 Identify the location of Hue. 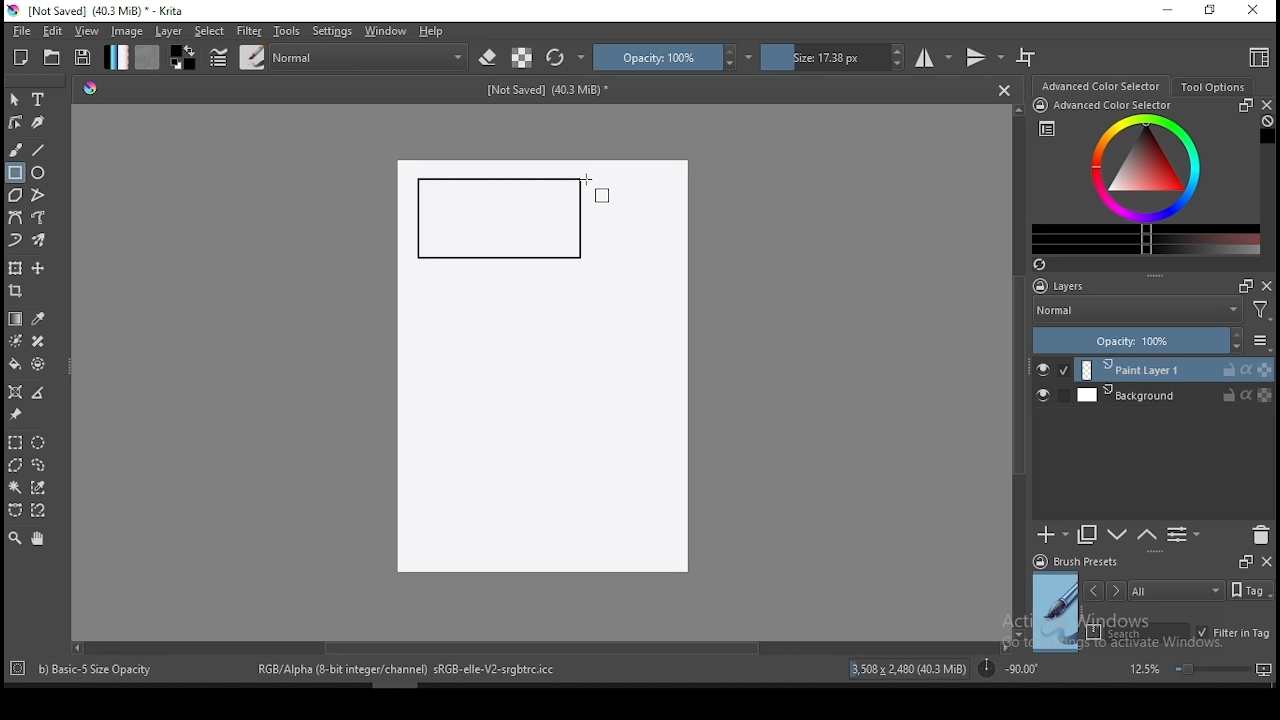
(90, 88).